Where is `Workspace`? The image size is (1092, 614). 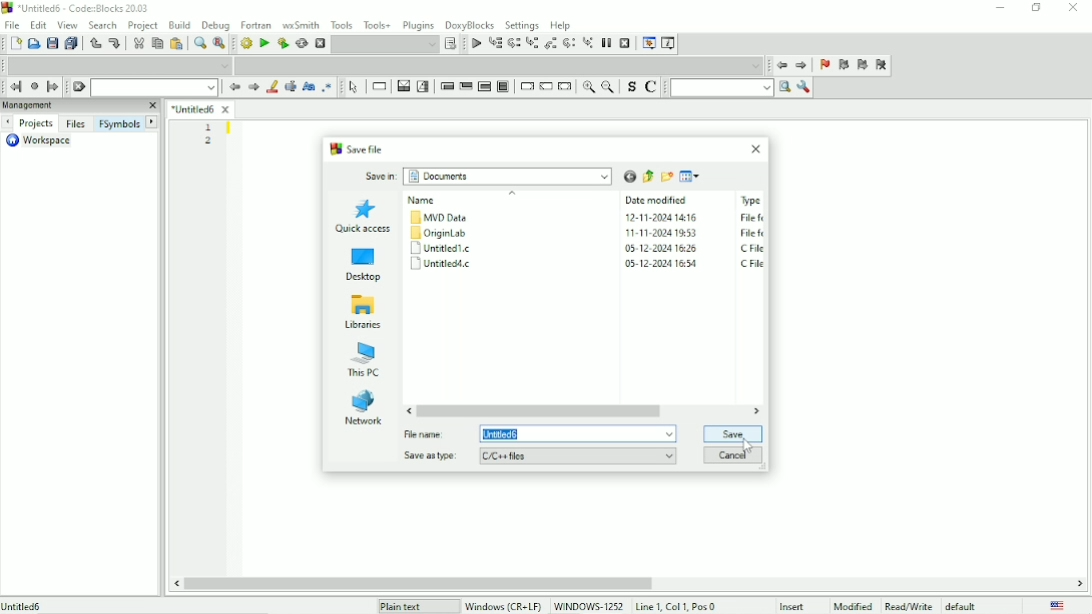
Workspace is located at coordinates (45, 141).